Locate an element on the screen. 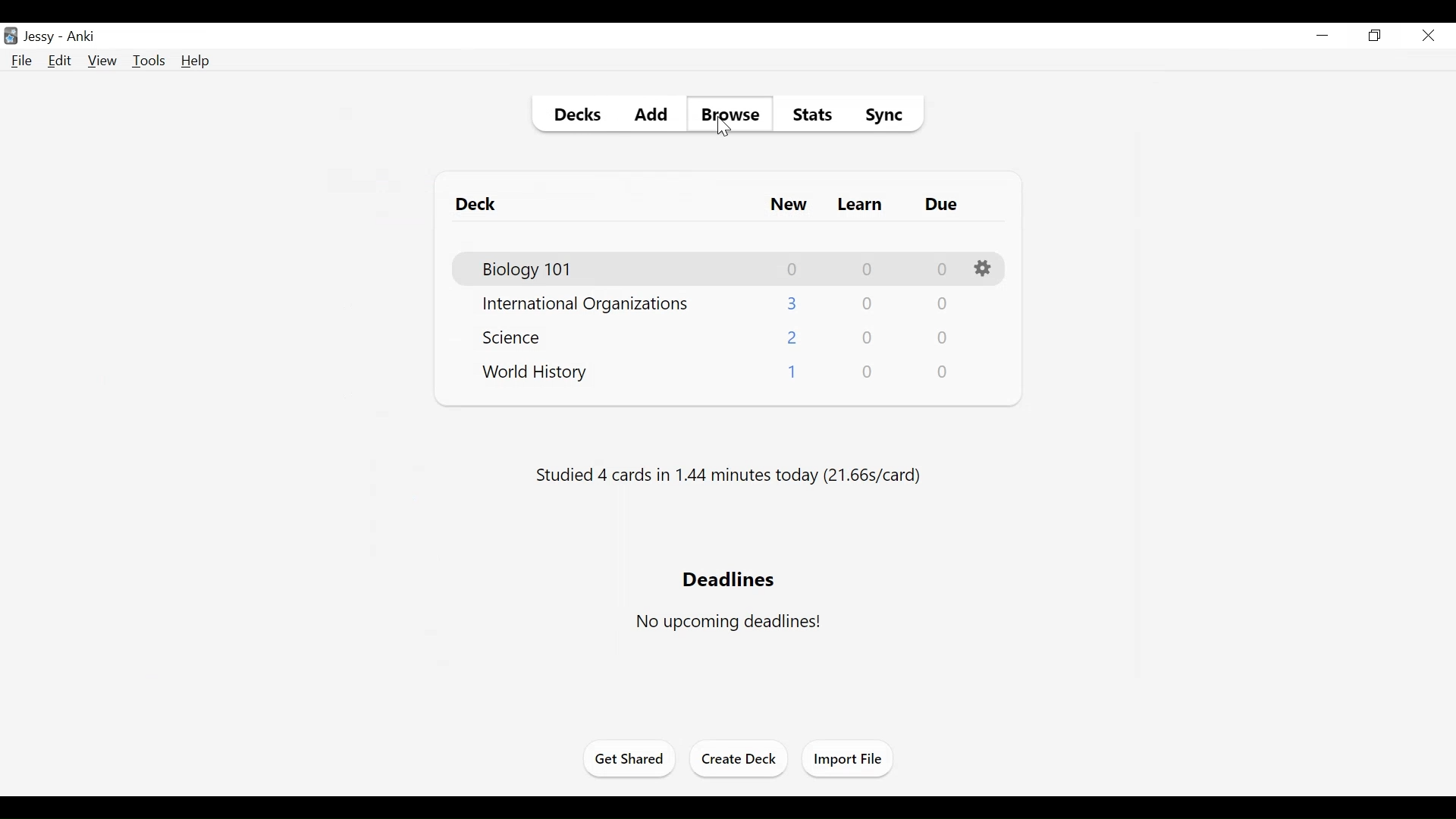  Learn Crads is located at coordinates (861, 206).